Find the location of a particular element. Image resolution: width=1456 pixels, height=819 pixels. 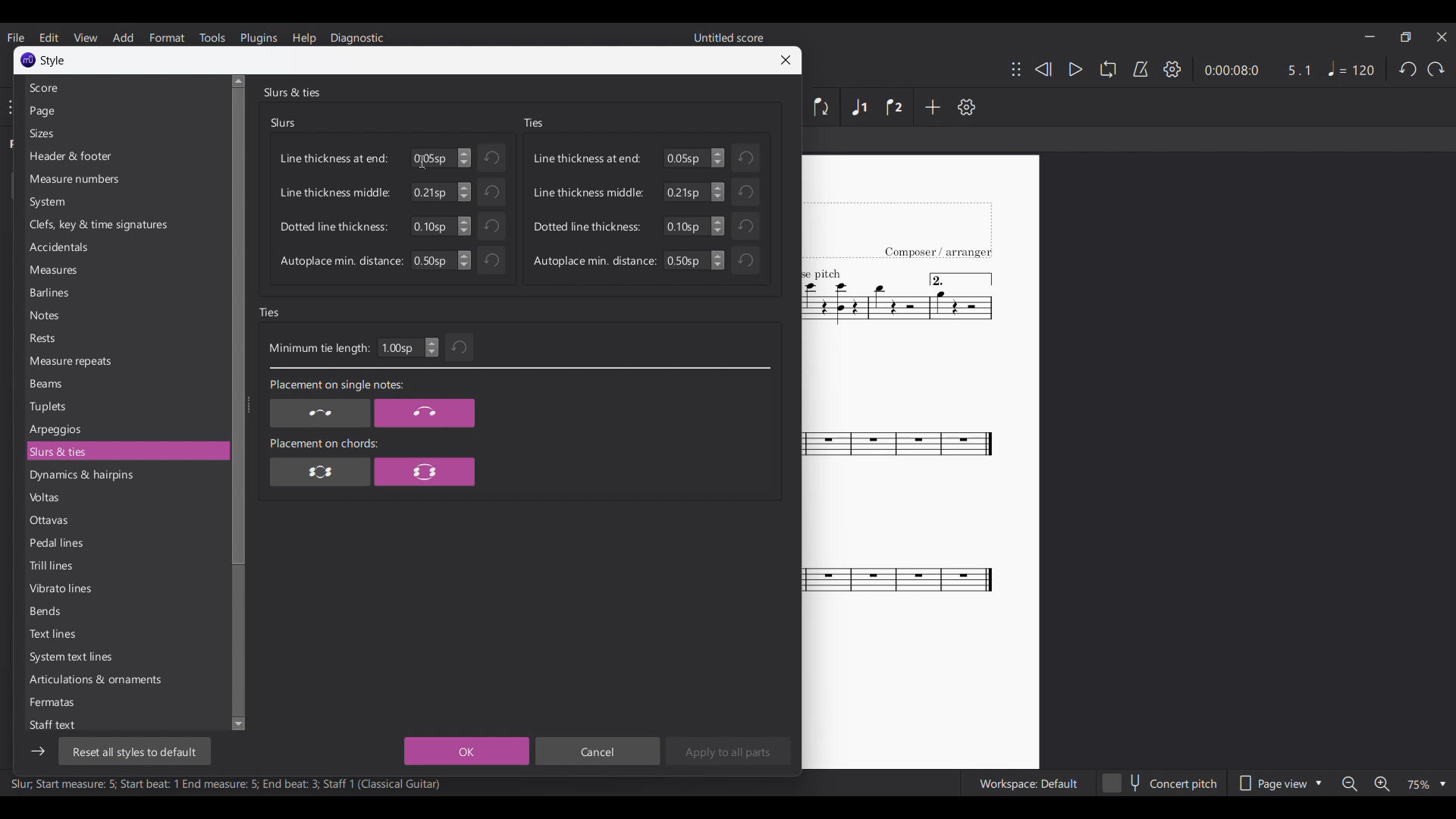

Zoom options is located at coordinates (1426, 784).